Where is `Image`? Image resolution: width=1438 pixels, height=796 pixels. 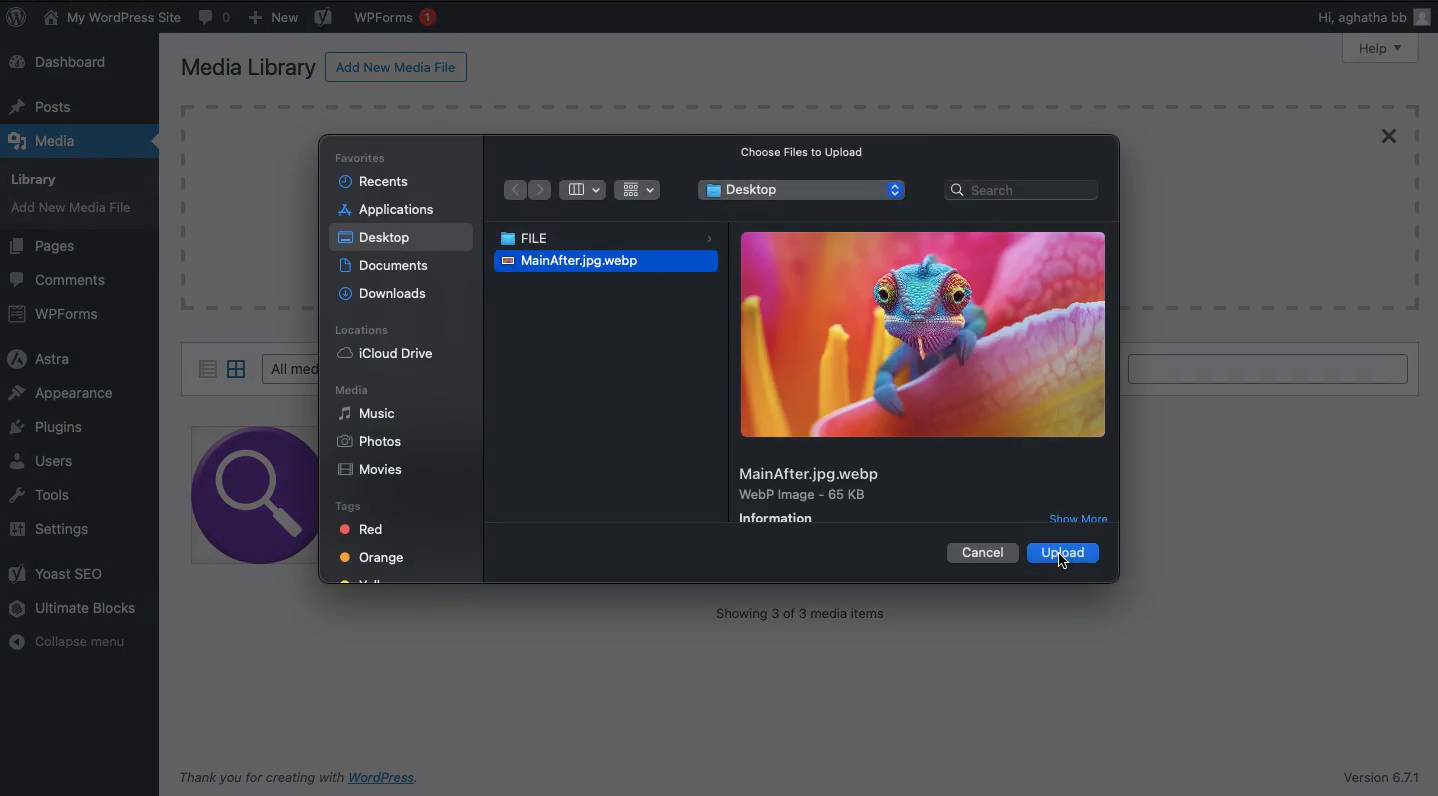 Image is located at coordinates (581, 265).